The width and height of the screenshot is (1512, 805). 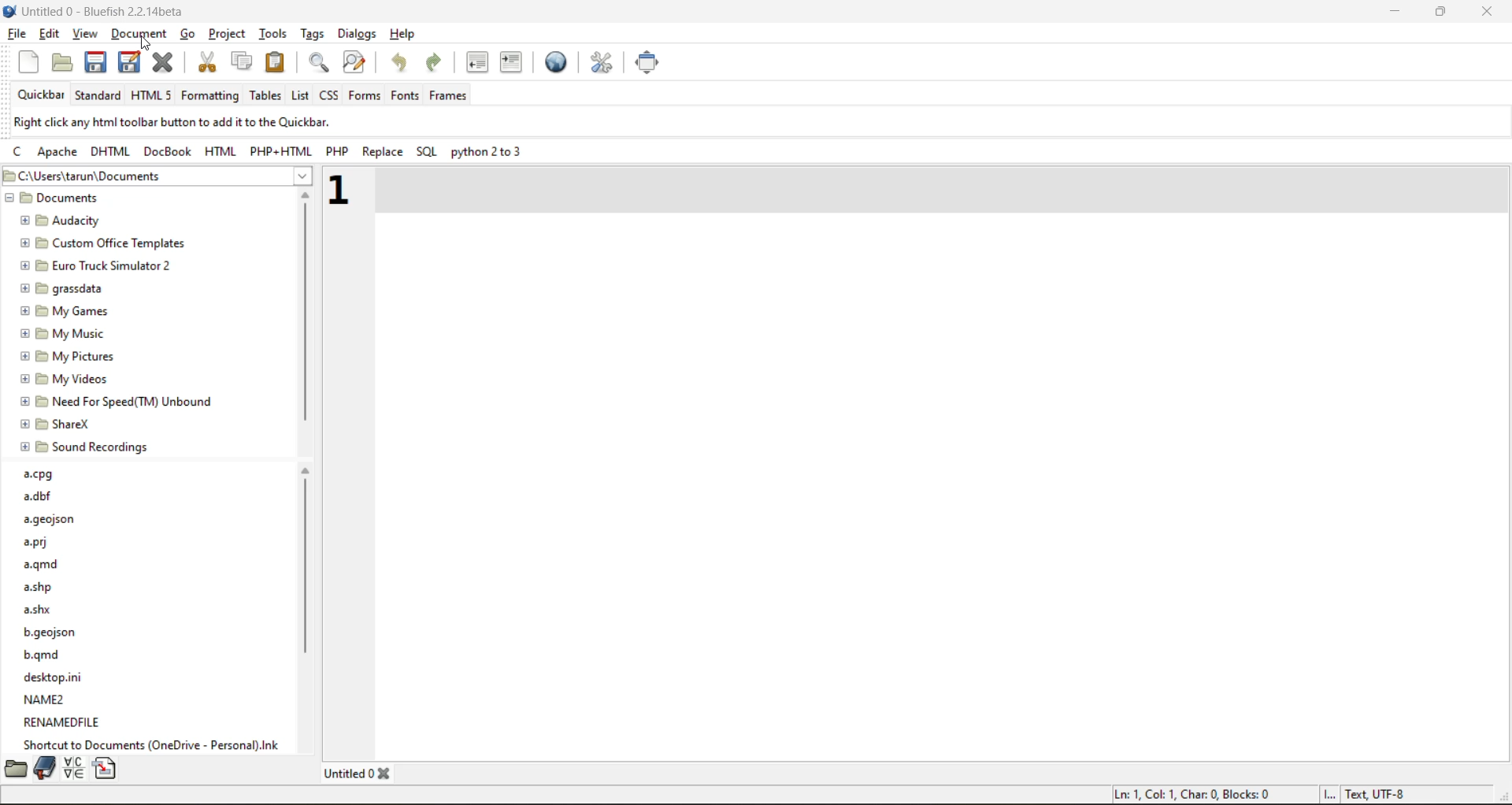 I want to click on new, so click(x=28, y=59).